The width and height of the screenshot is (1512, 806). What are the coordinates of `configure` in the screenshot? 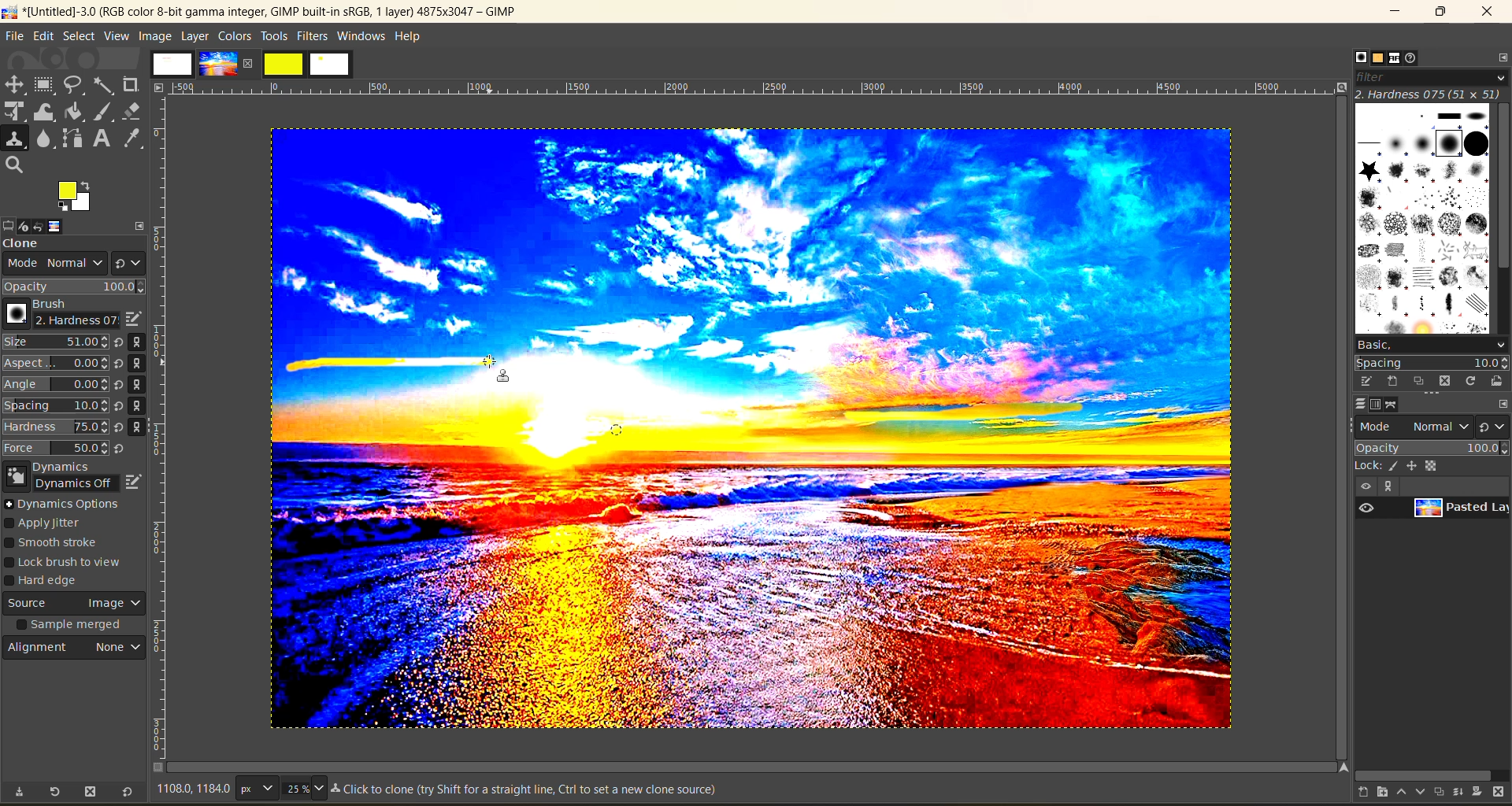 It's located at (1499, 57).